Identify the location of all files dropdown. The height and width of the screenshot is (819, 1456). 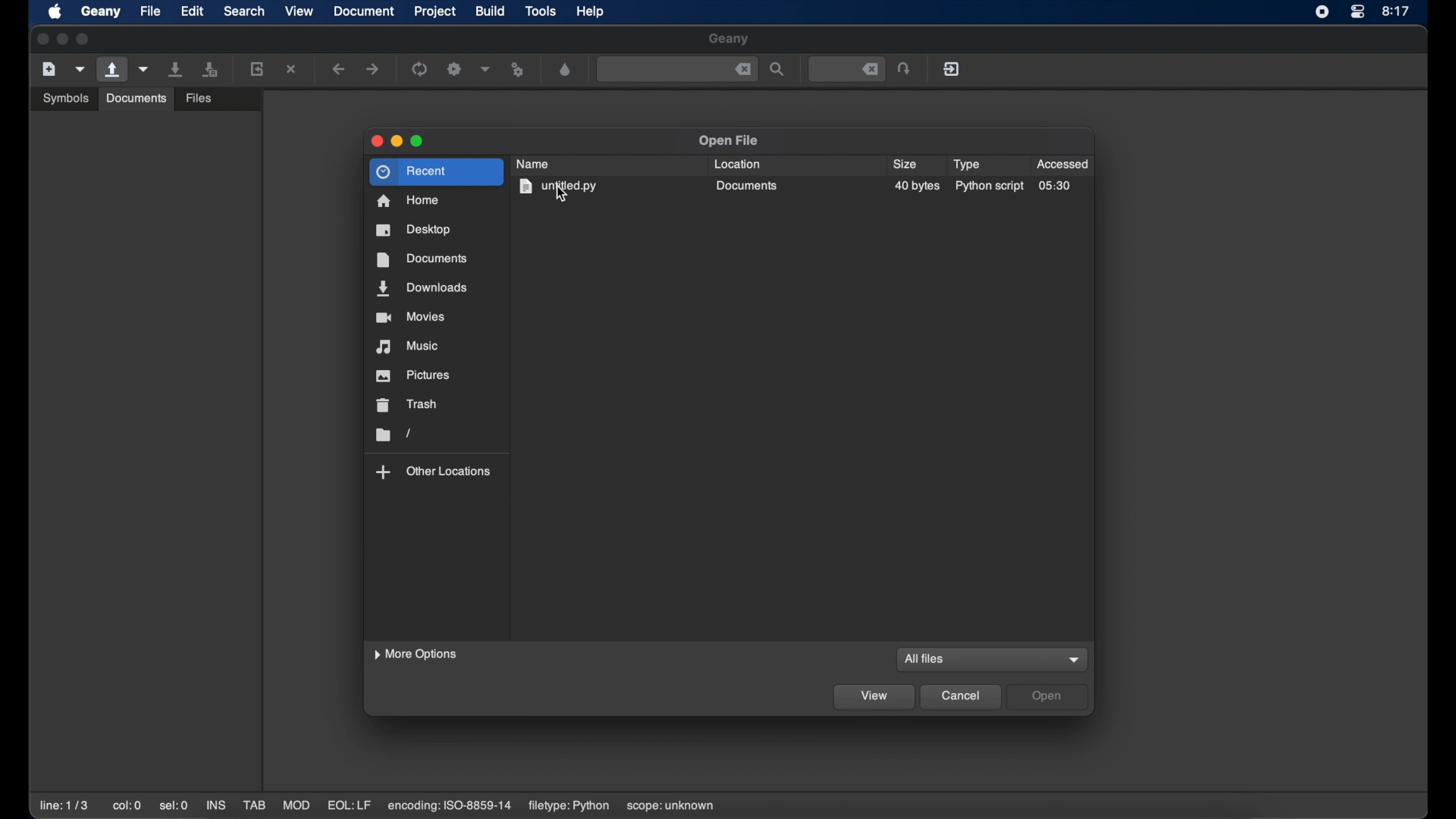
(1075, 661).